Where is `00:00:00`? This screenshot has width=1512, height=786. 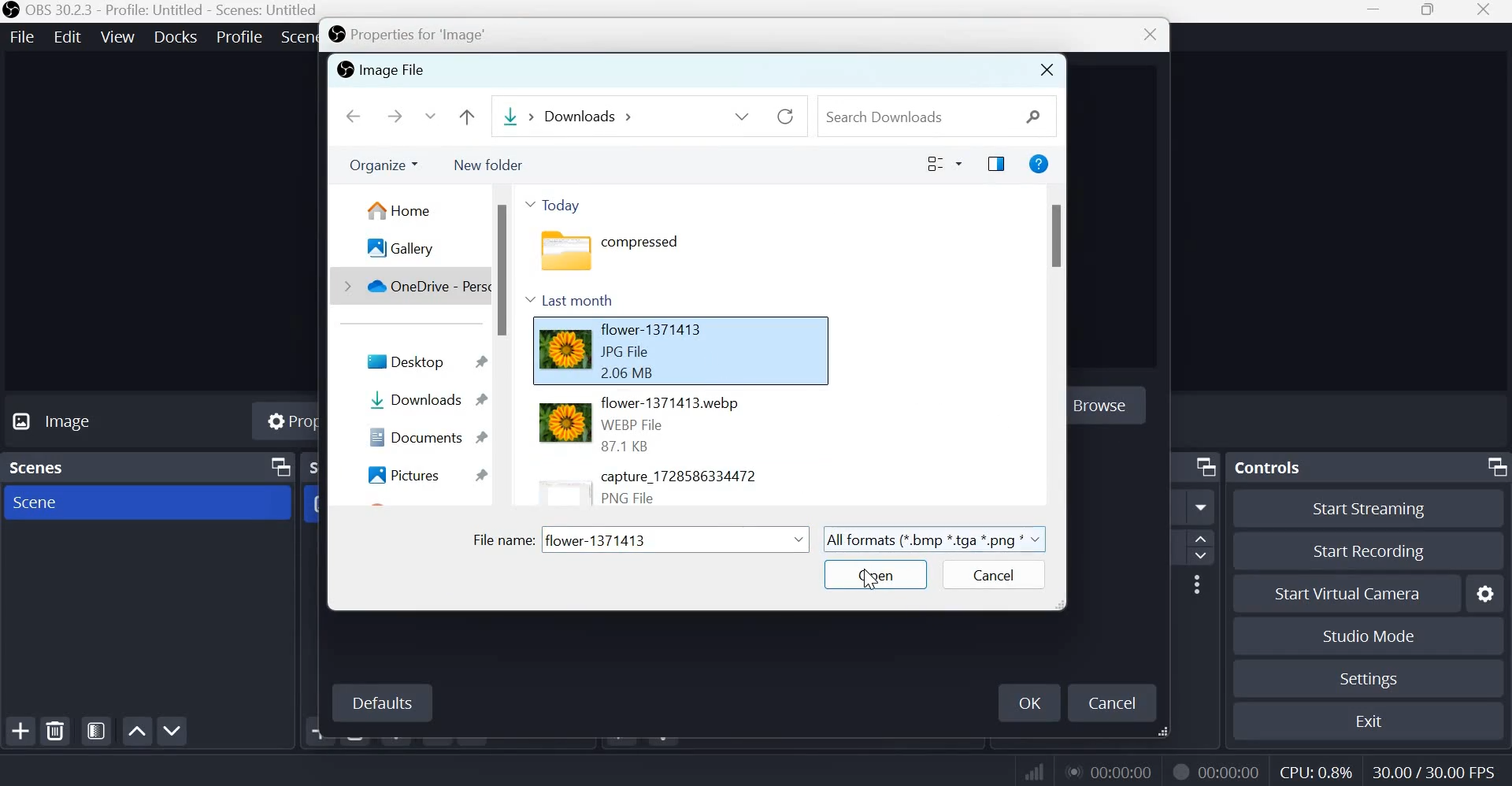
00:00:00 is located at coordinates (1231, 772).